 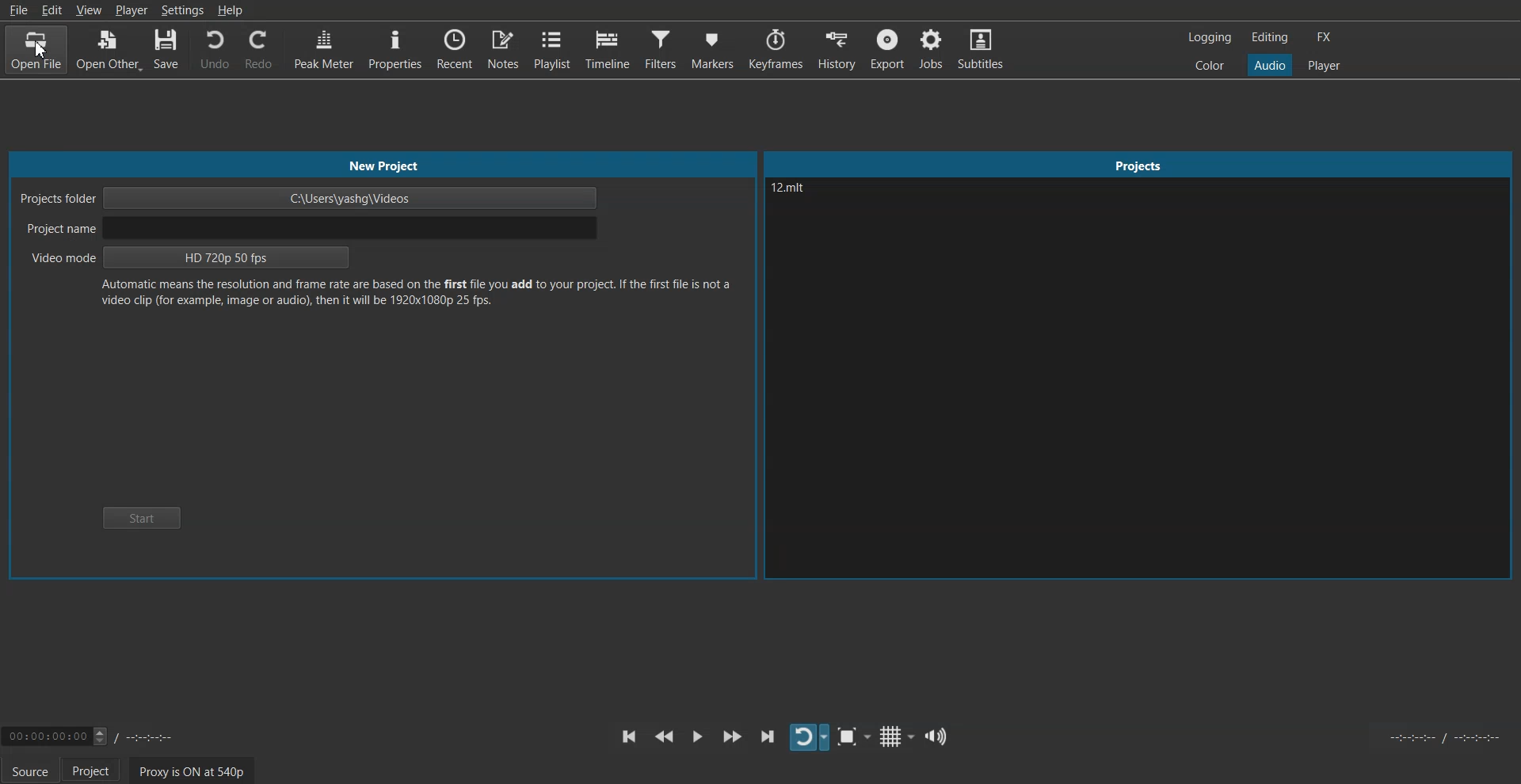 What do you see at coordinates (839, 48) in the screenshot?
I see `History` at bounding box center [839, 48].